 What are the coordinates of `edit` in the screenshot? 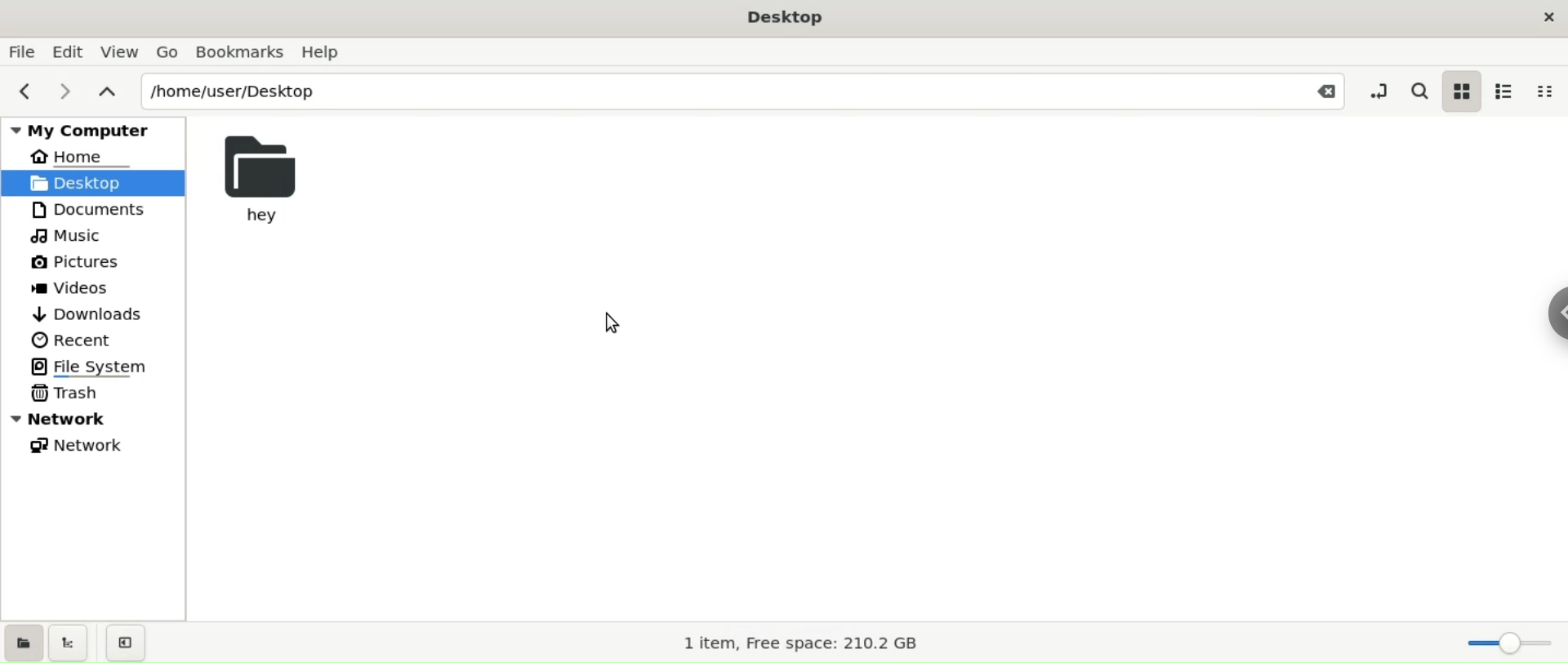 It's located at (66, 51).